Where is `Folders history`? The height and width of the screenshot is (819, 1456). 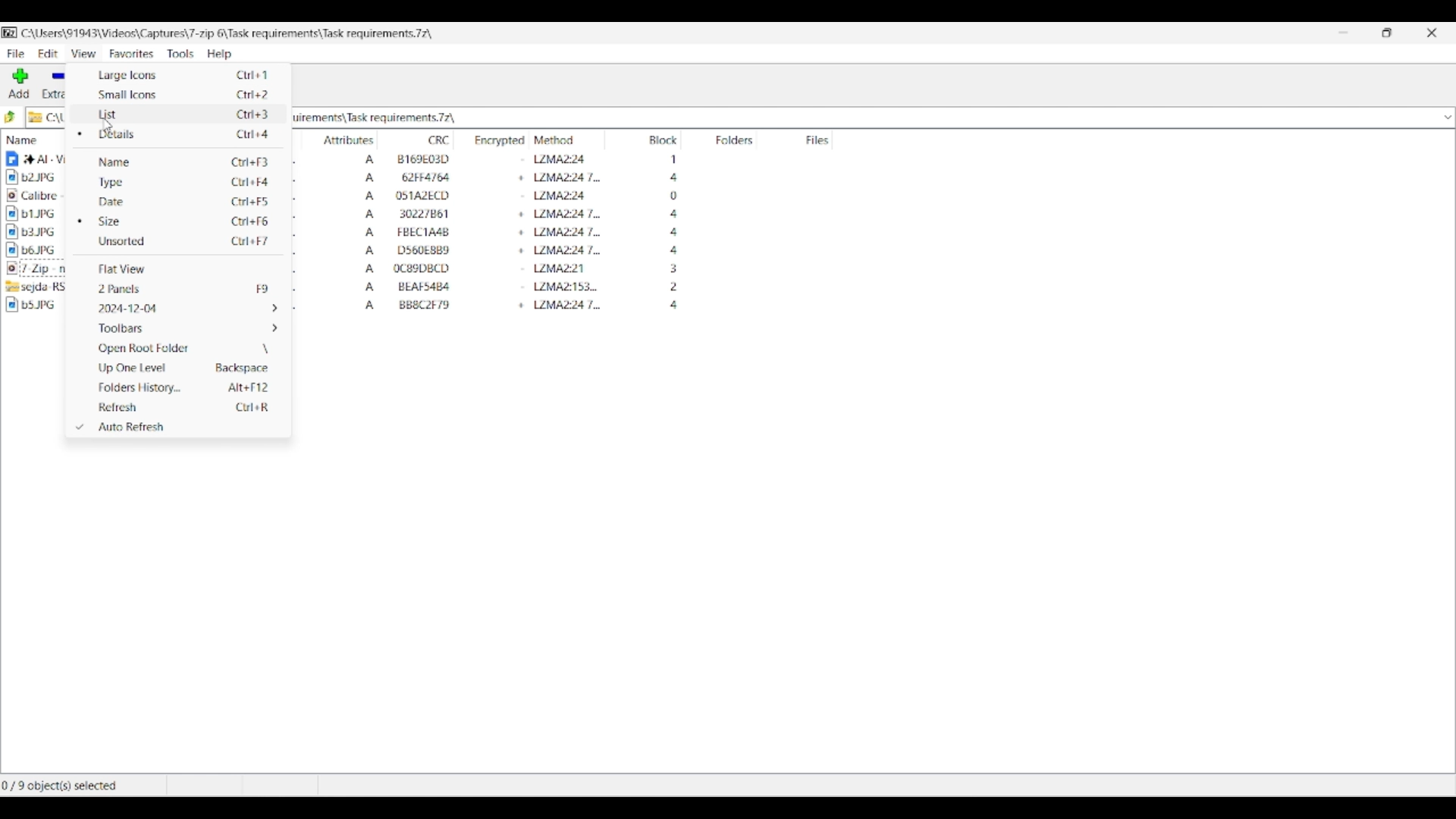 Folders history is located at coordinates (180, 388).